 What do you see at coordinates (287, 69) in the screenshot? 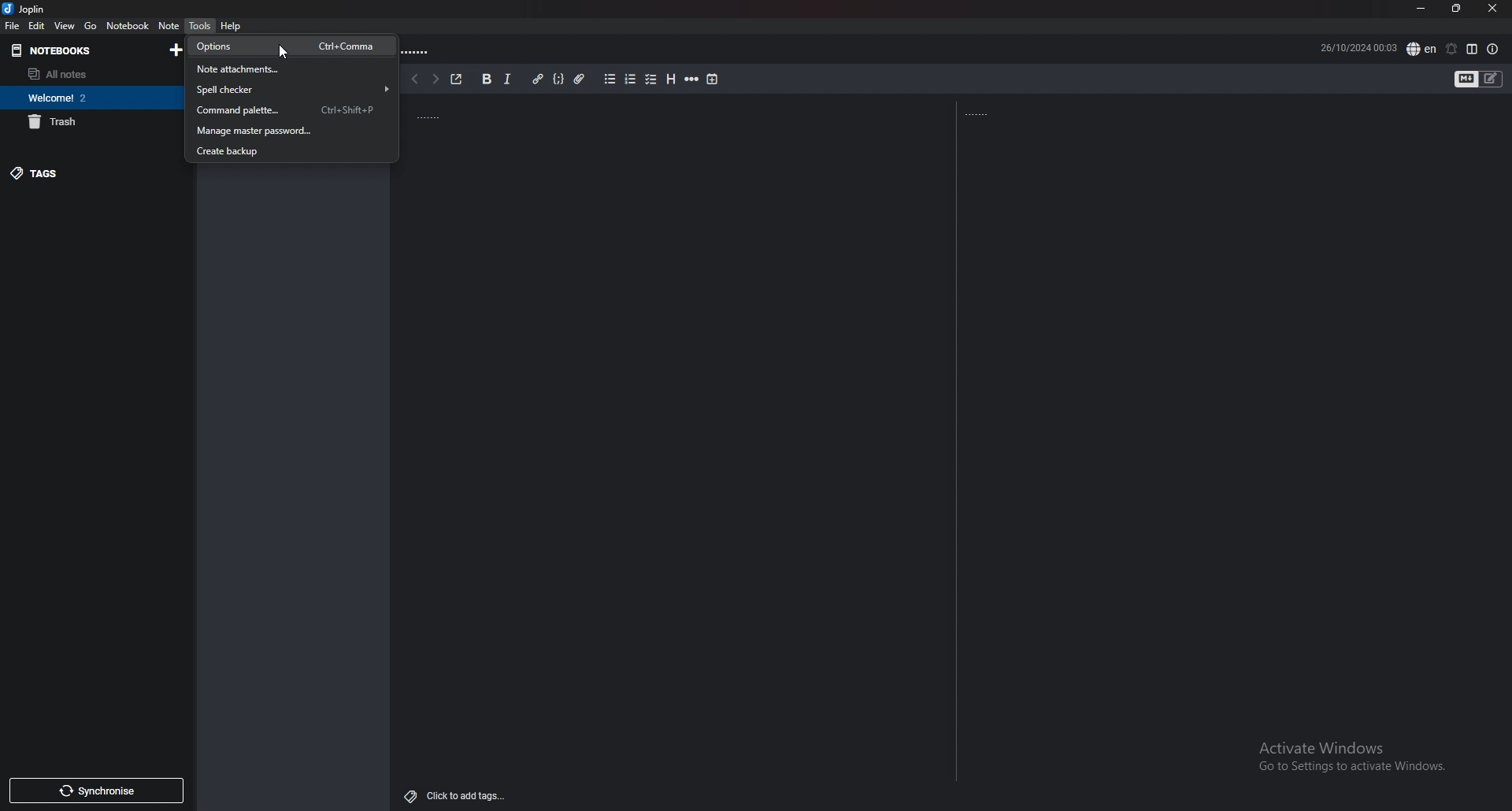
I see `note attachments` at bounding box center [287, 69].